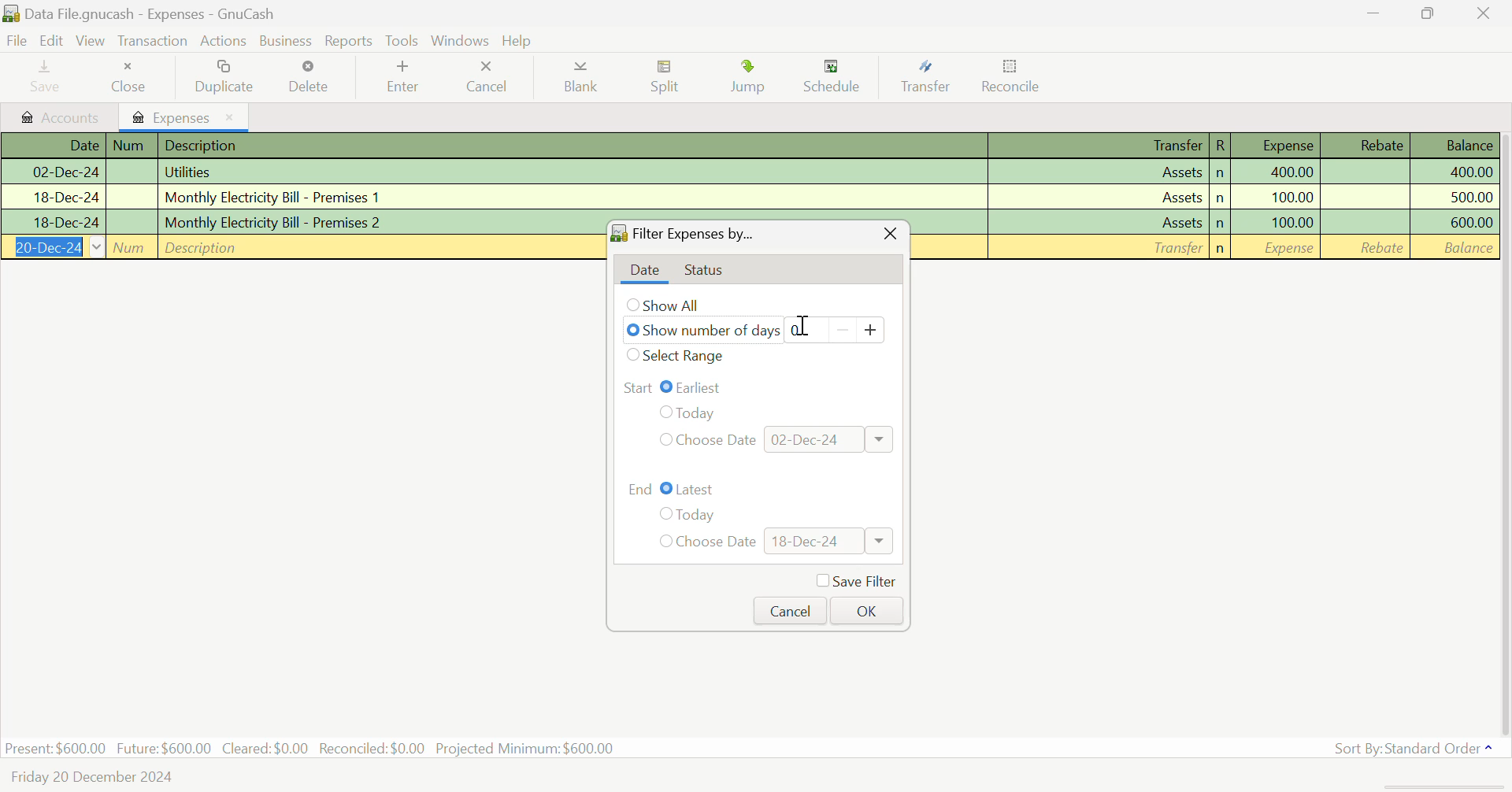 The height and width of the screenshot is (792, 1512). What do you see at coordinates (839, 79) in the screenshot?
I see `Schedule` at bounding box center [839, 79].